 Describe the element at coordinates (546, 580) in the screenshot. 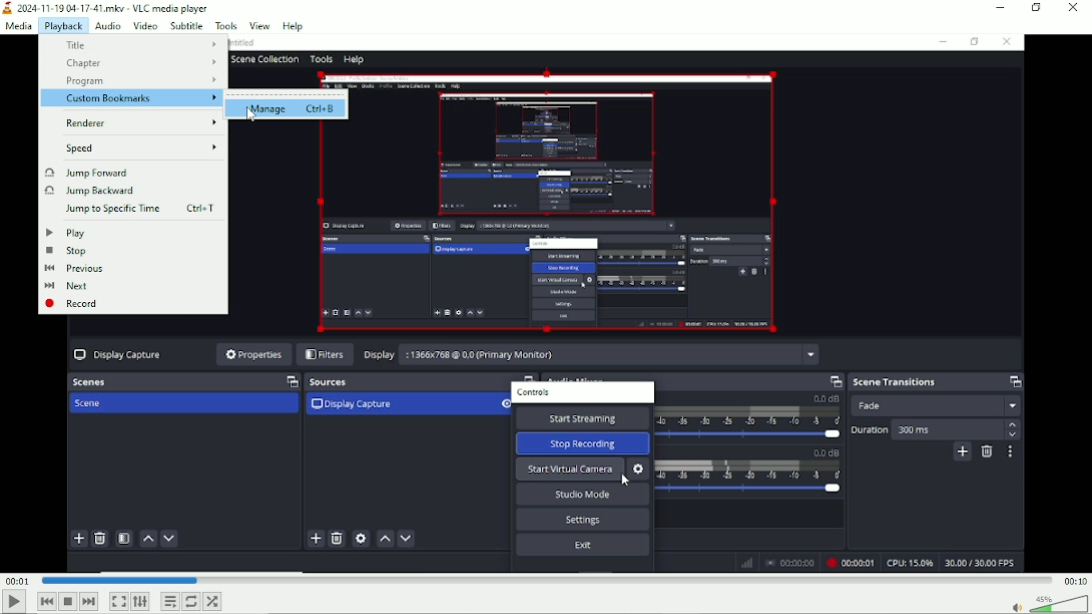

I see `Play duration` at that location.